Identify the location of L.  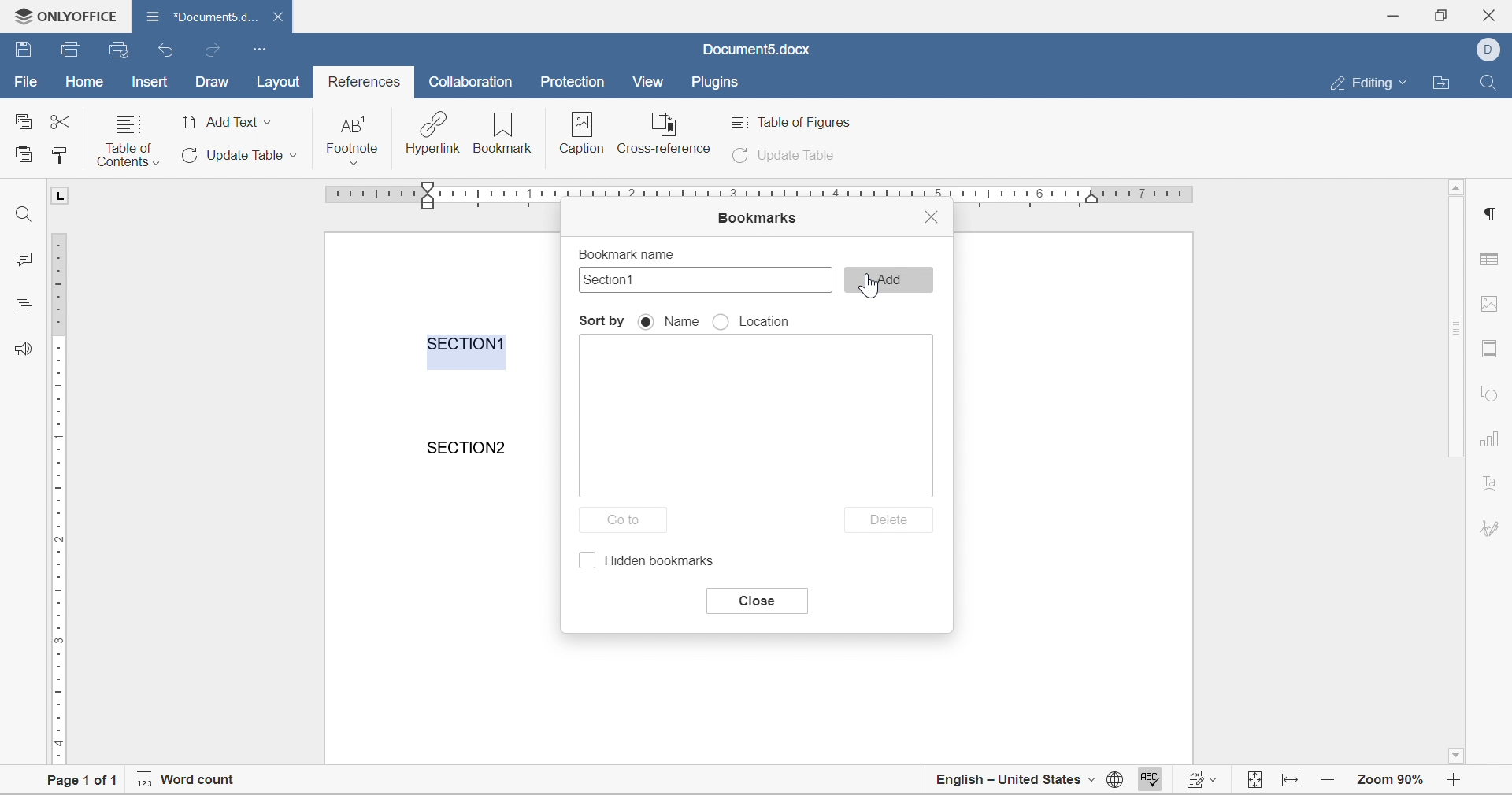
(61, 195).